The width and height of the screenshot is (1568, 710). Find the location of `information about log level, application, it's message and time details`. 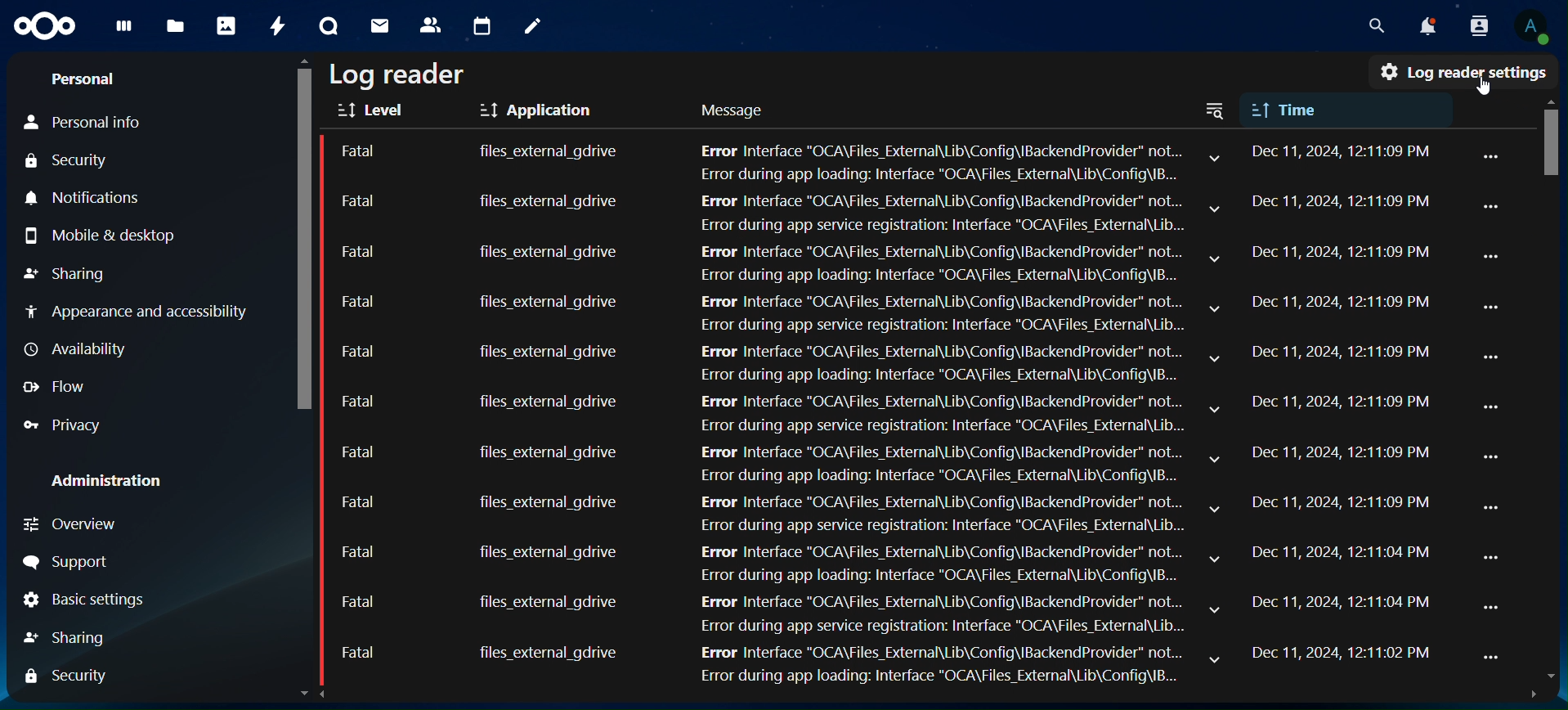

information about log level, application, it's message and time details is located at coordinates (886, 258).